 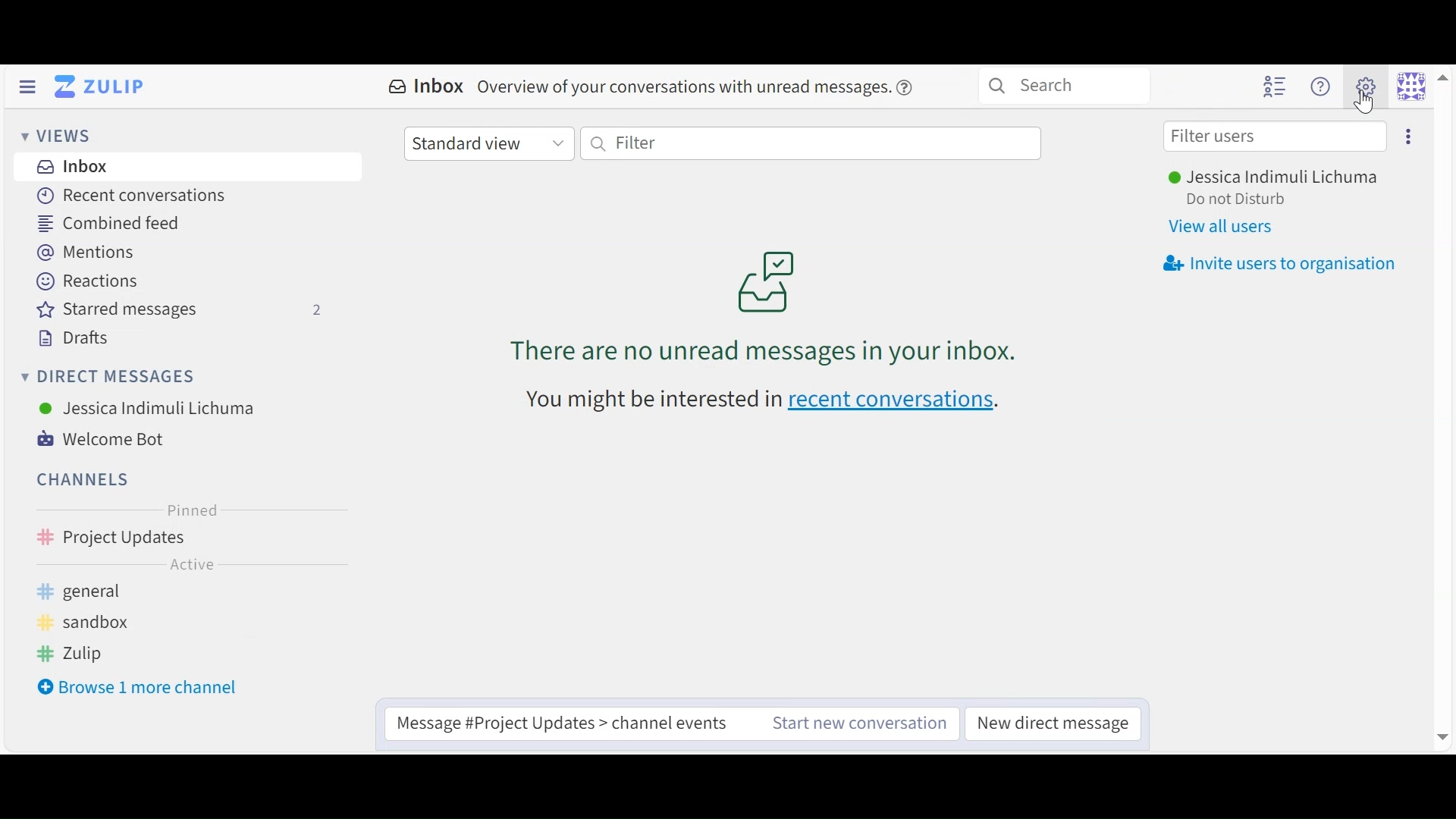 I want to click on New direct messages, so click(x=1054, y=723).